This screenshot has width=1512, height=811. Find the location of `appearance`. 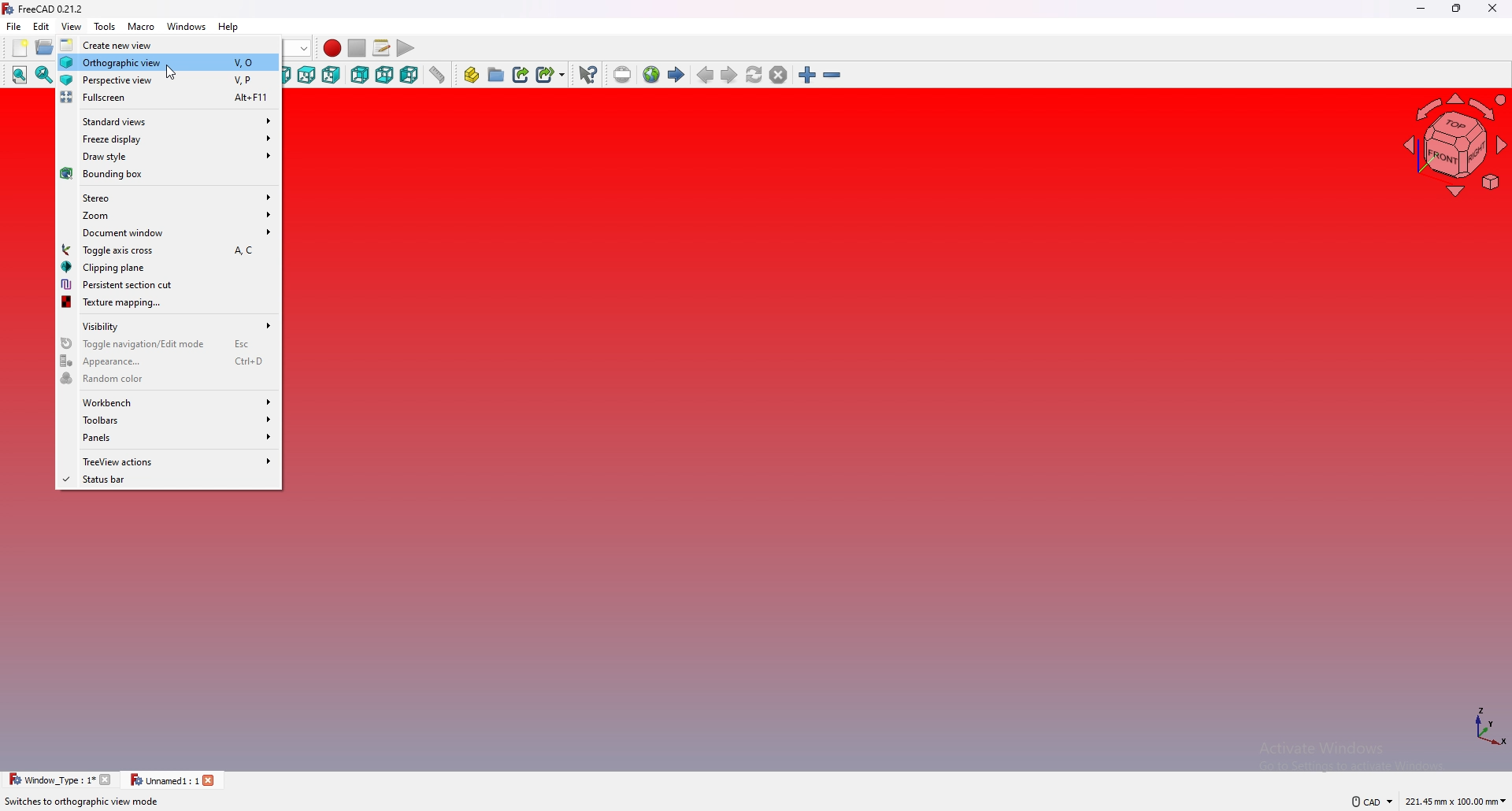

appearance is located at coordinates (168, 361).